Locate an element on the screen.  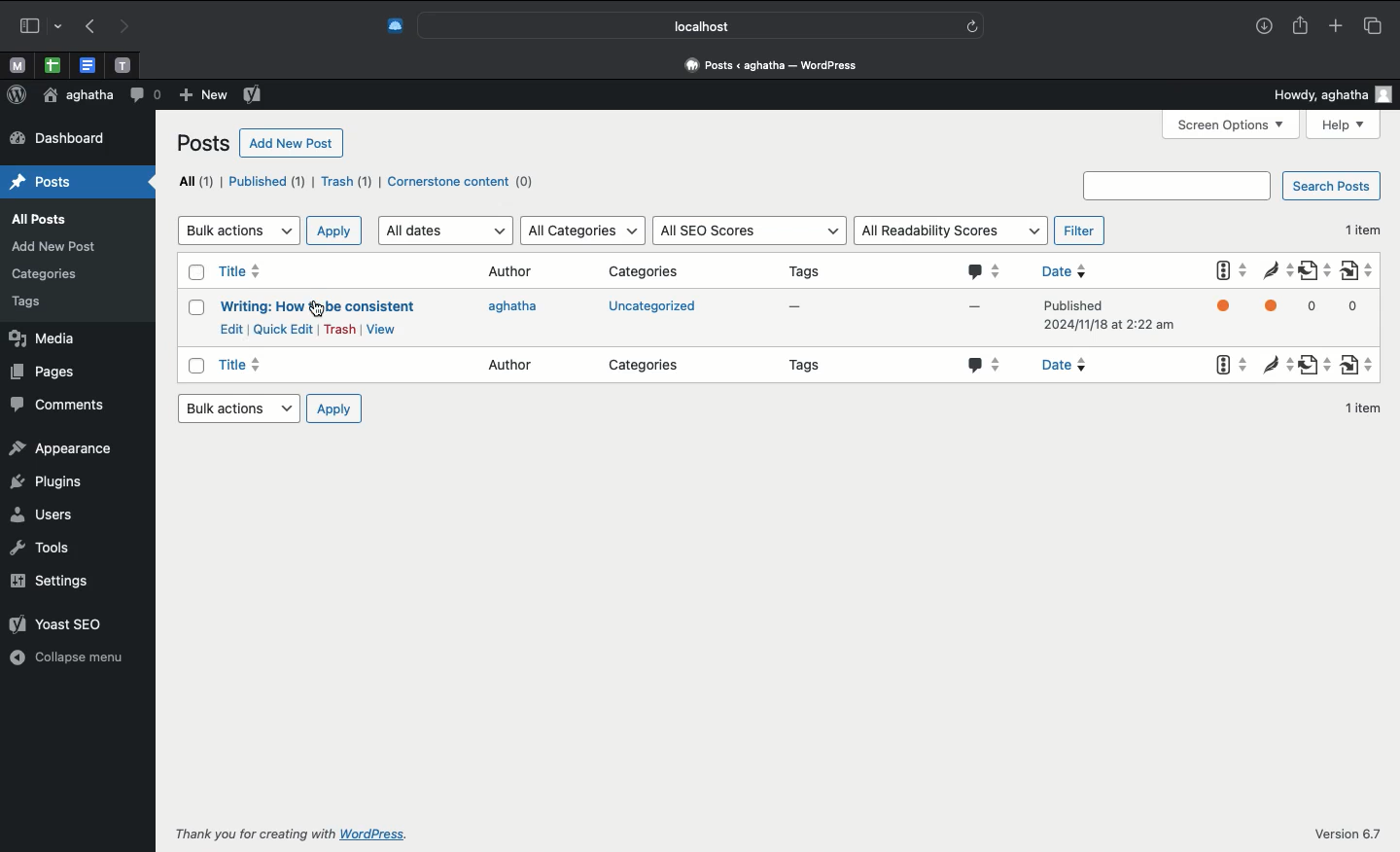
Media is located at coordinates (52, 248).